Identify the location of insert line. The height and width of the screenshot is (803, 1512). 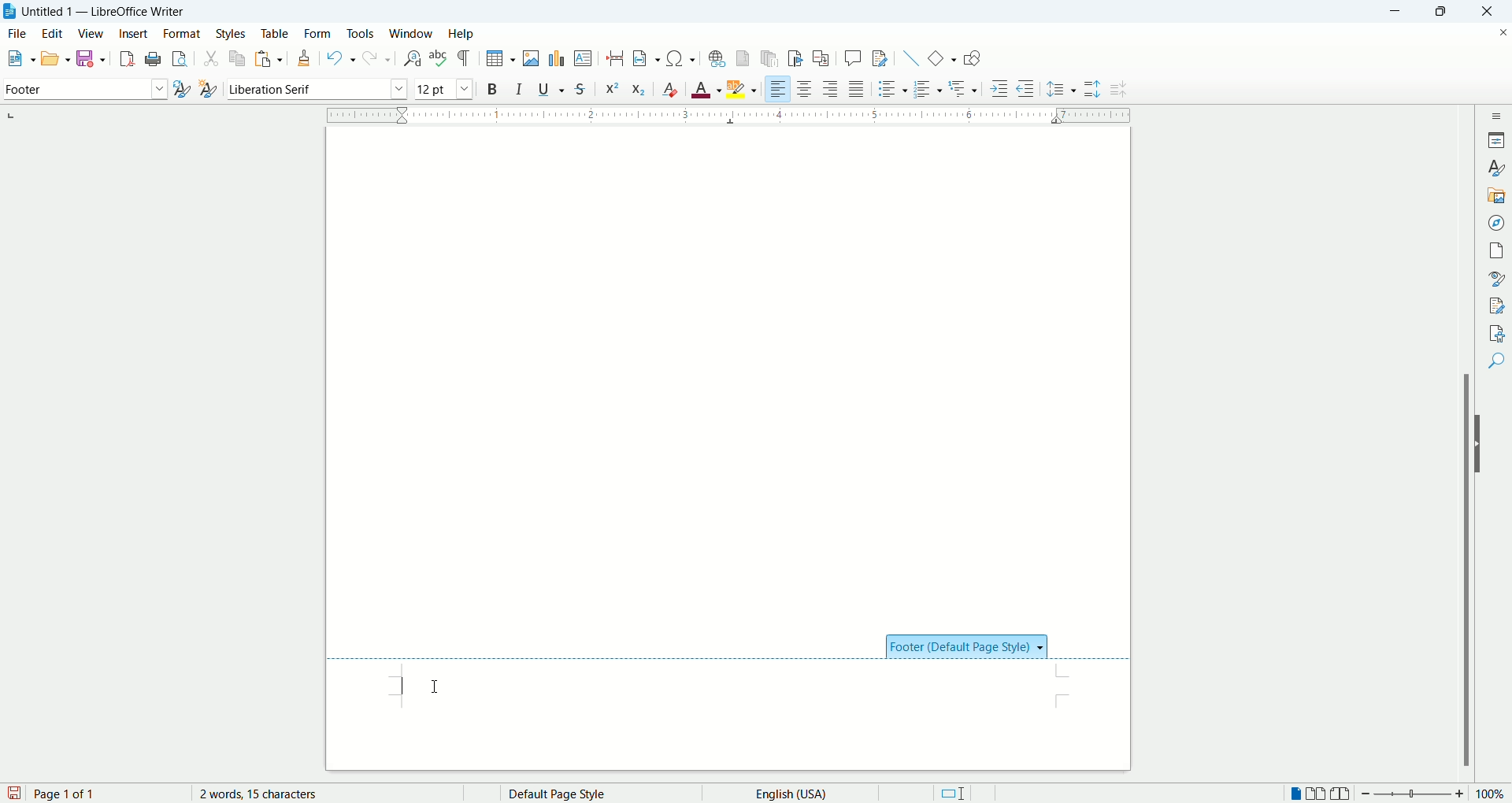
(909, 57).